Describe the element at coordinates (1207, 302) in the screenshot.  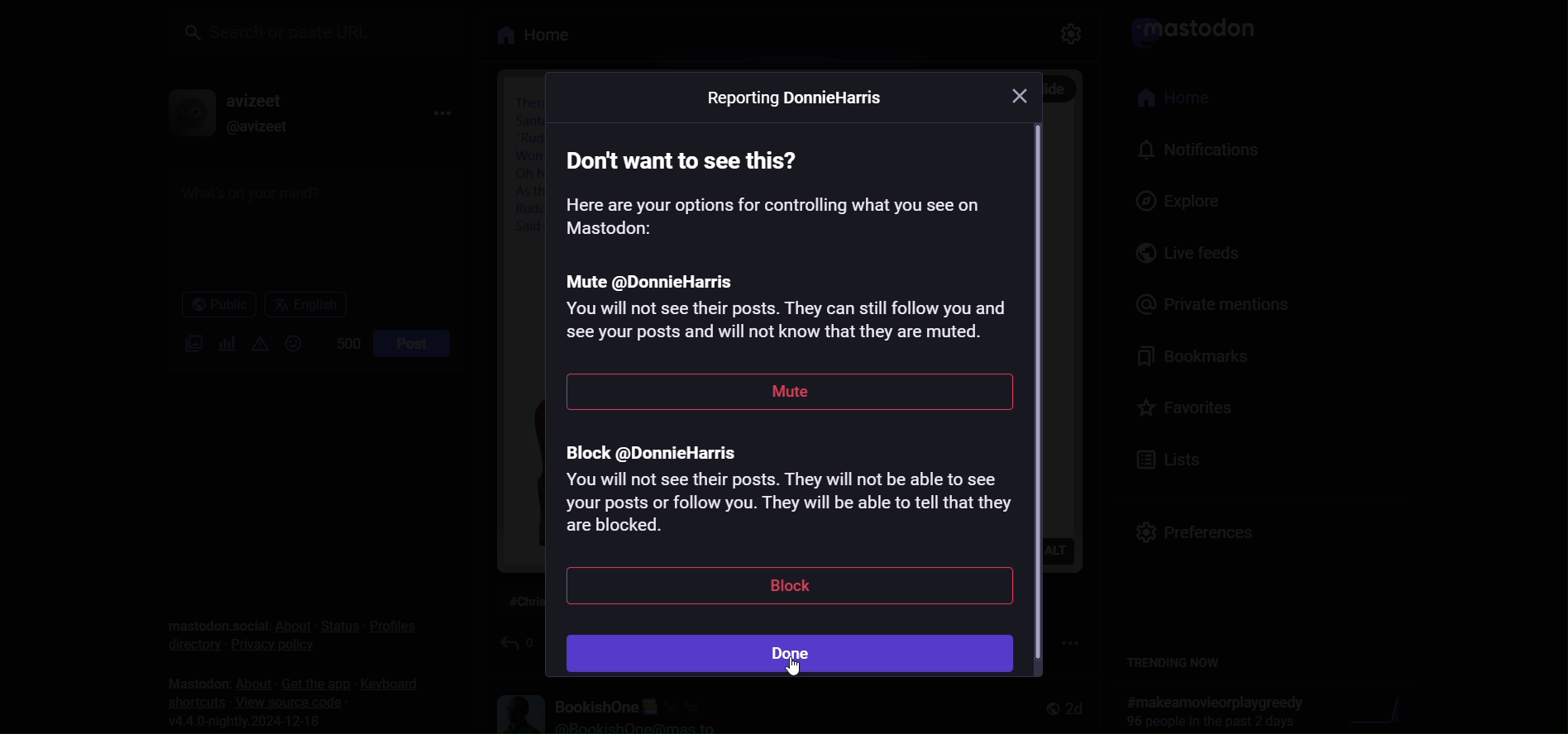
I see `private mention` at that location.